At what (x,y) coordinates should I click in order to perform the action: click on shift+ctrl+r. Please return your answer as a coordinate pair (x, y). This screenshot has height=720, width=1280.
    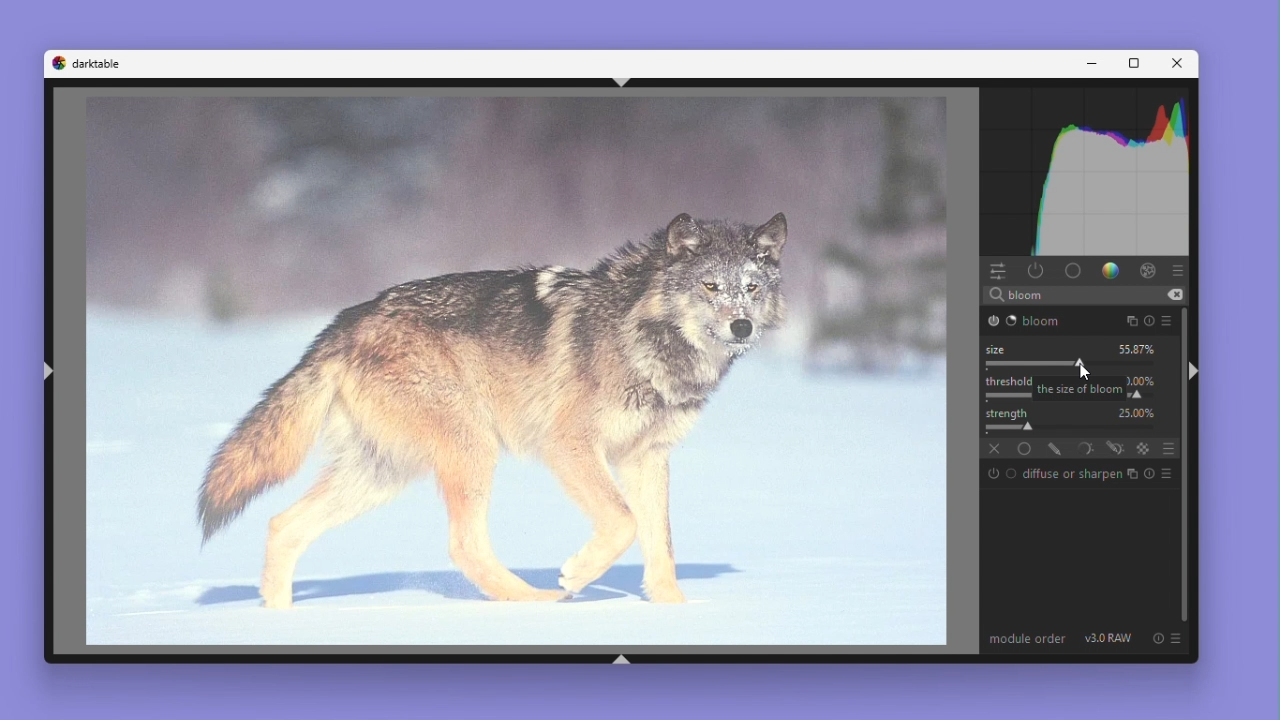
    Looking at the image, I should click on (1198, 372).